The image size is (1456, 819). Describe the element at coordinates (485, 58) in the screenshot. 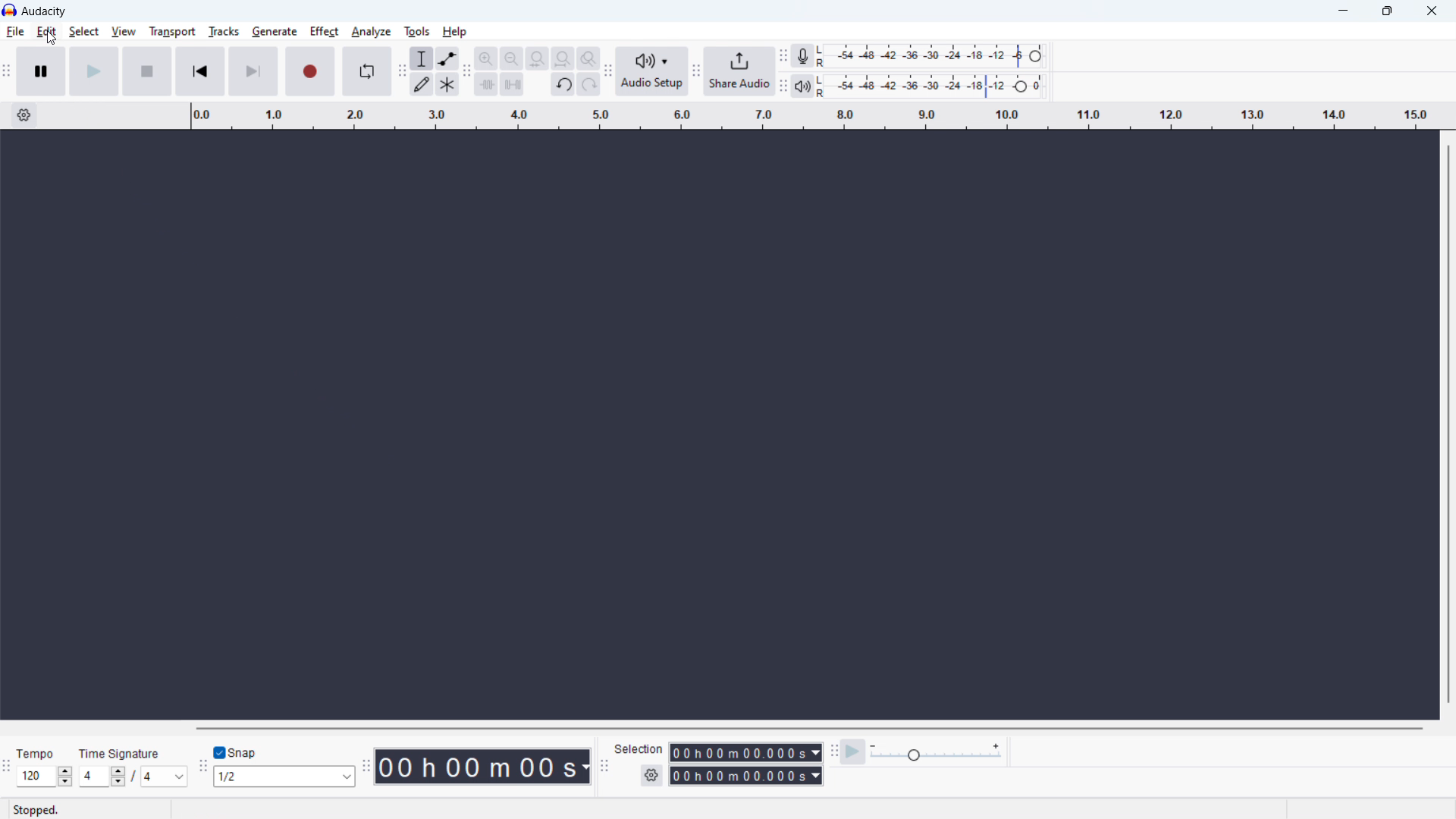

I see `zoom in` at that location.